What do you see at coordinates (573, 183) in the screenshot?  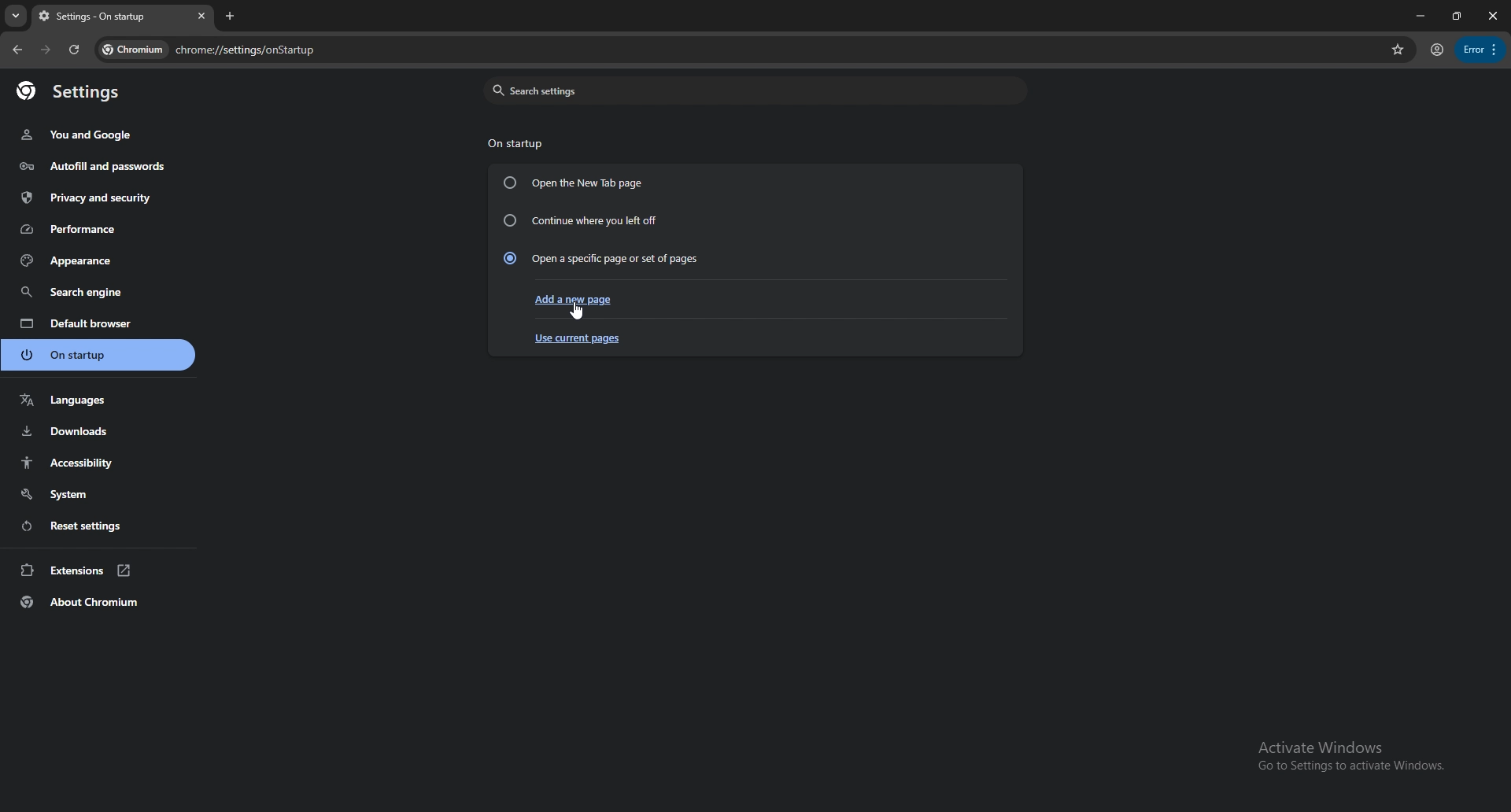 I see `open the new tab page` at bounding box center [573, 183].